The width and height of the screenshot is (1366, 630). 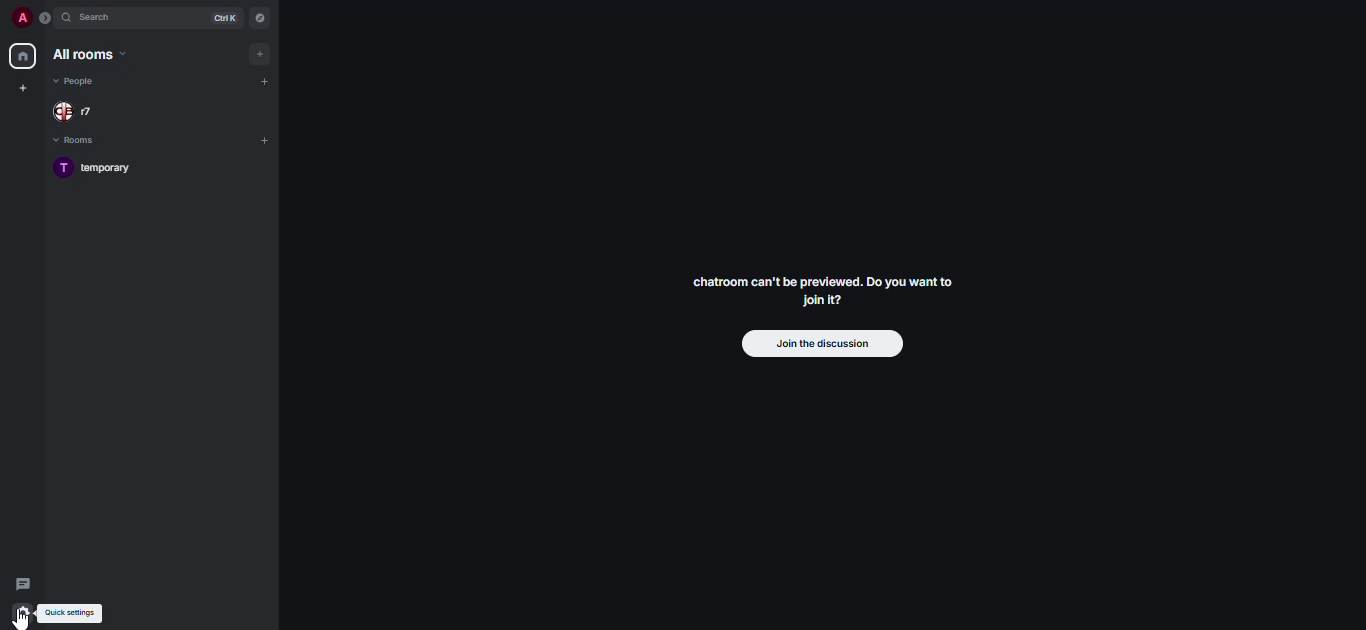 What do you see at coordinates (96, 19) in the screenshot?
I see `search` at bounding box center [96, 19].